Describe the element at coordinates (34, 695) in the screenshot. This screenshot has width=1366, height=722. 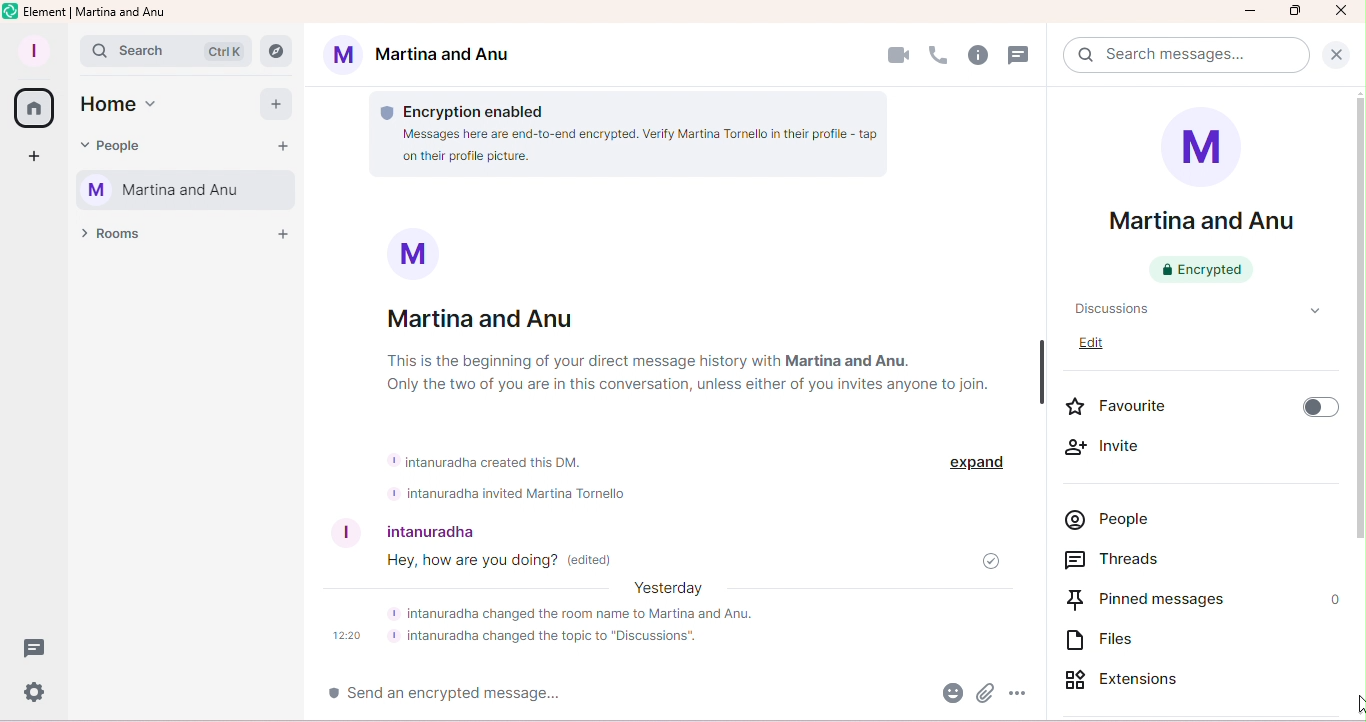
I see `Quick settings` at that location.